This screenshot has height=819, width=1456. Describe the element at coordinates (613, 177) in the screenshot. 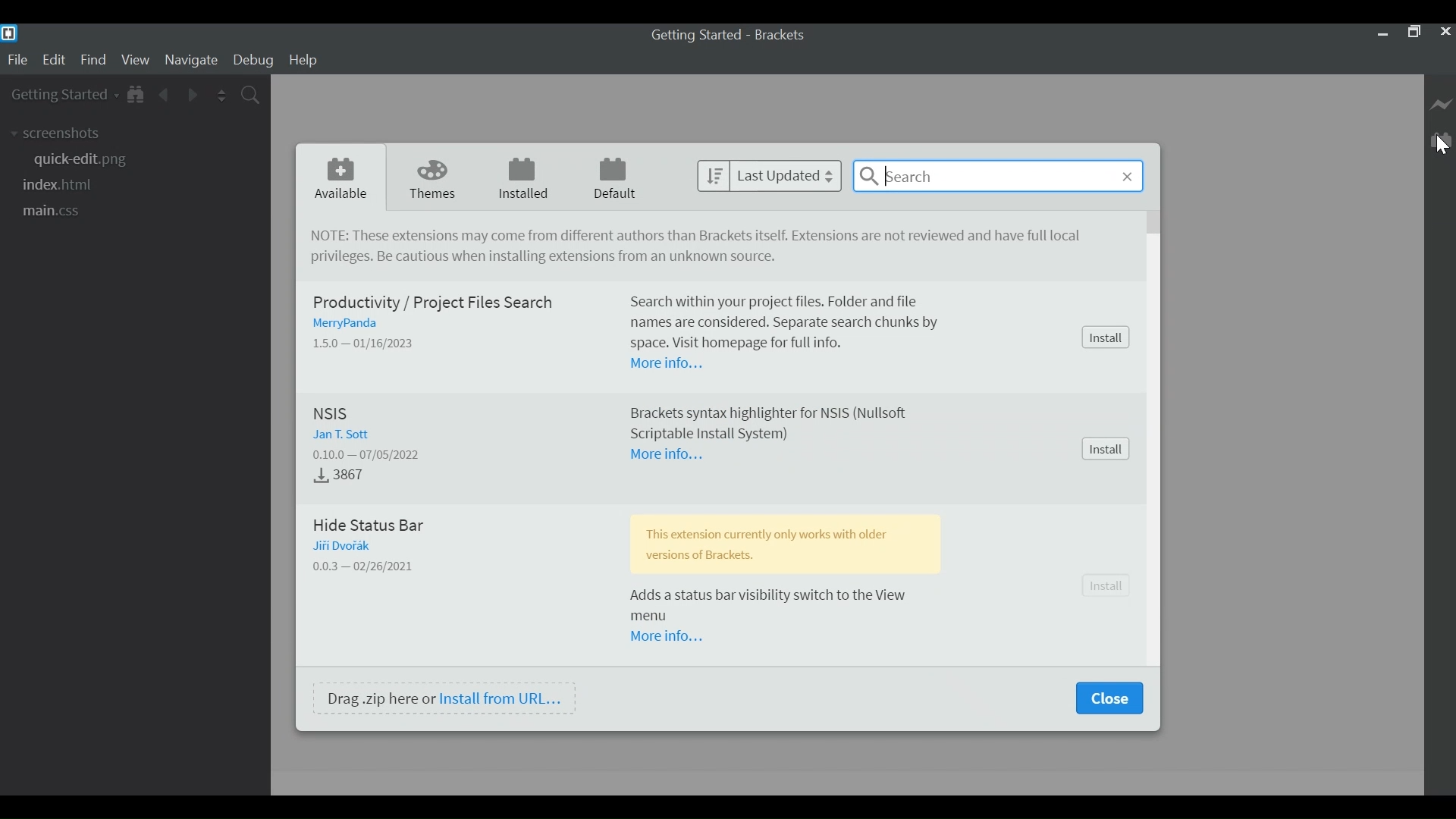

I see `Default` at that location.